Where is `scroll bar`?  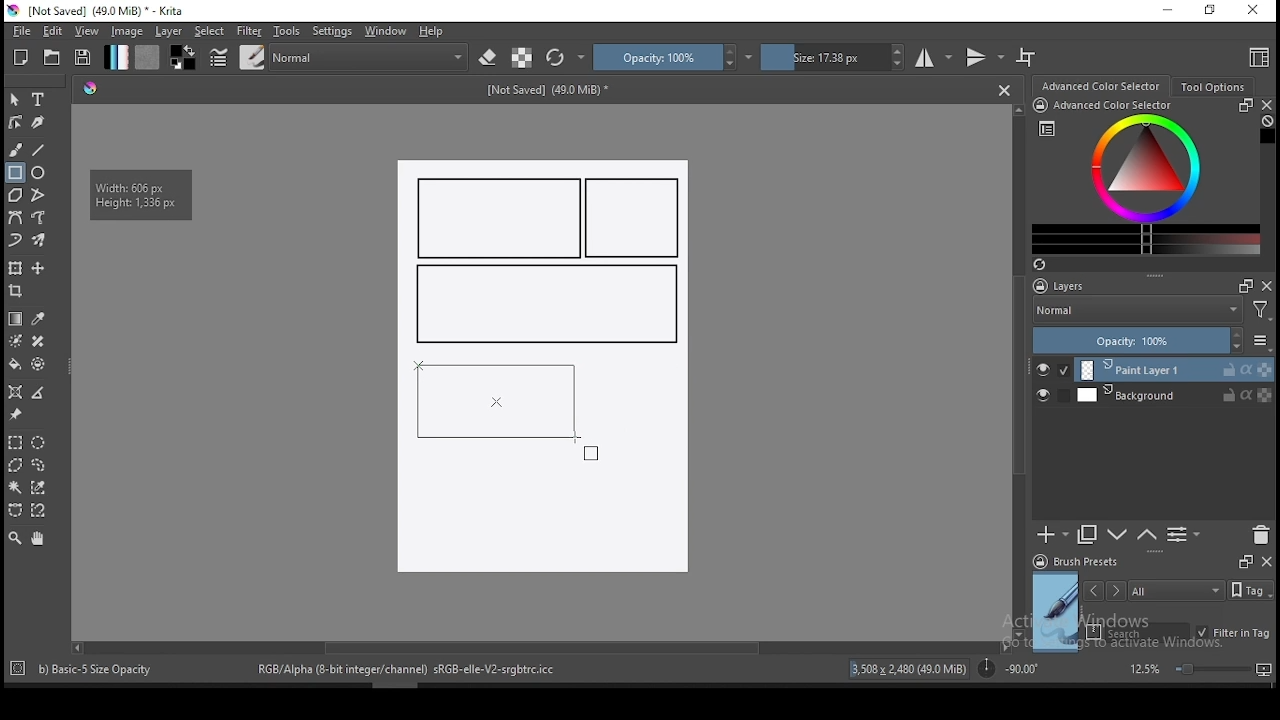
scroll bar is located at coordinates (1020, 370).